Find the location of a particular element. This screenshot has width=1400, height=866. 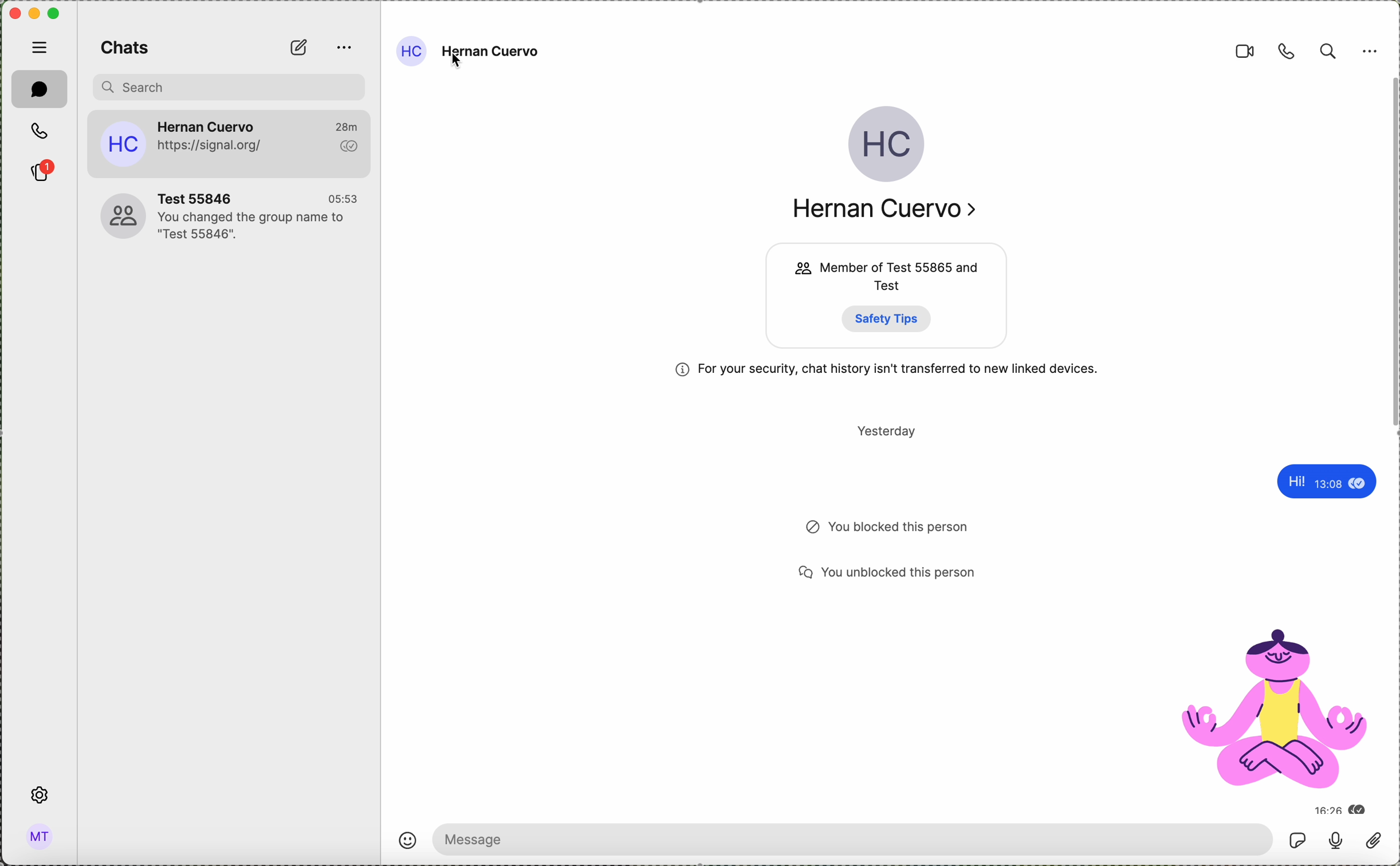

scroll is located at coordinates (1391, 255).